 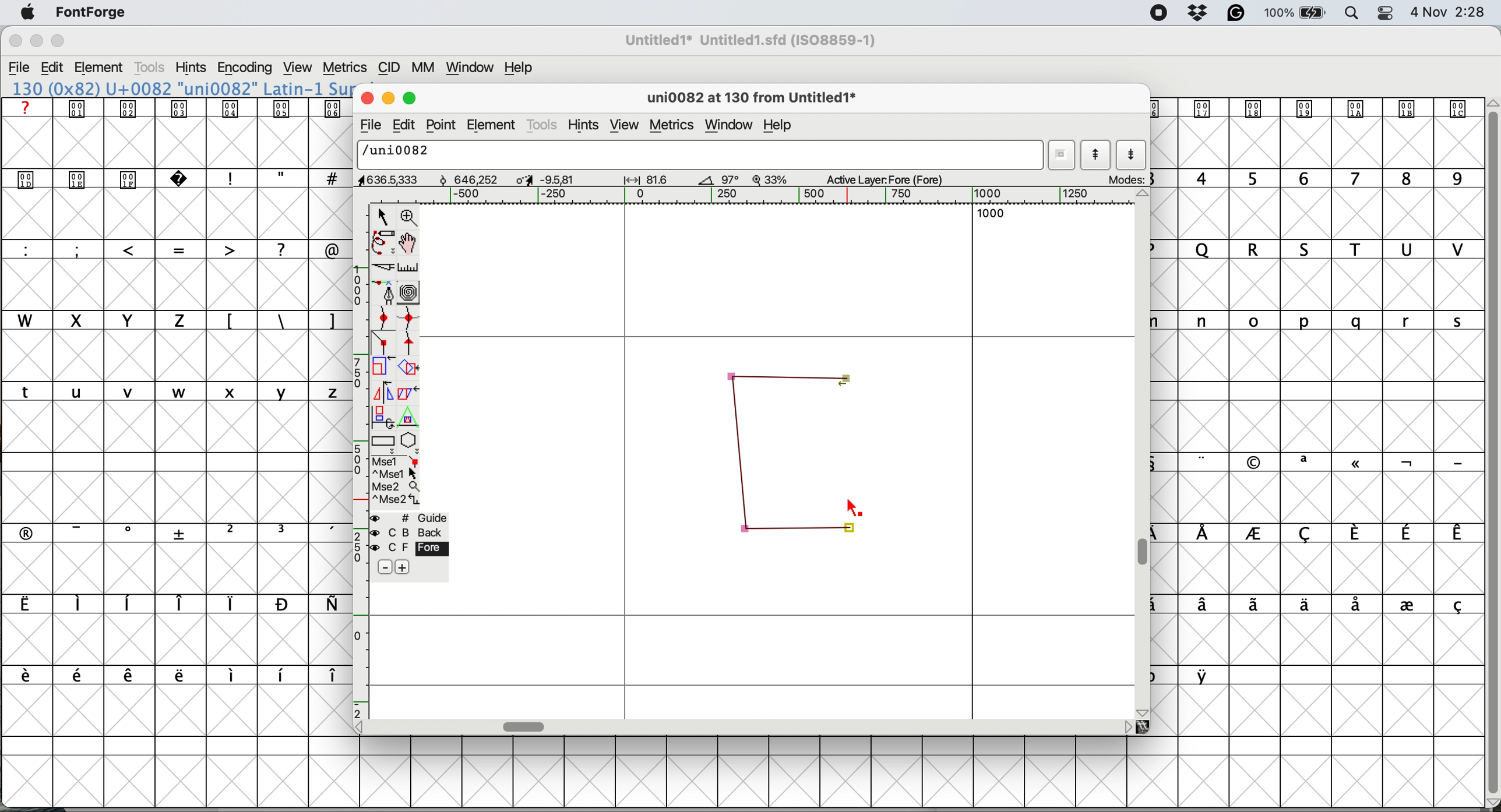 What do you see at coordinates (386, 568) in the screenshot?
I see `remove` at bounding box center [386, 568].